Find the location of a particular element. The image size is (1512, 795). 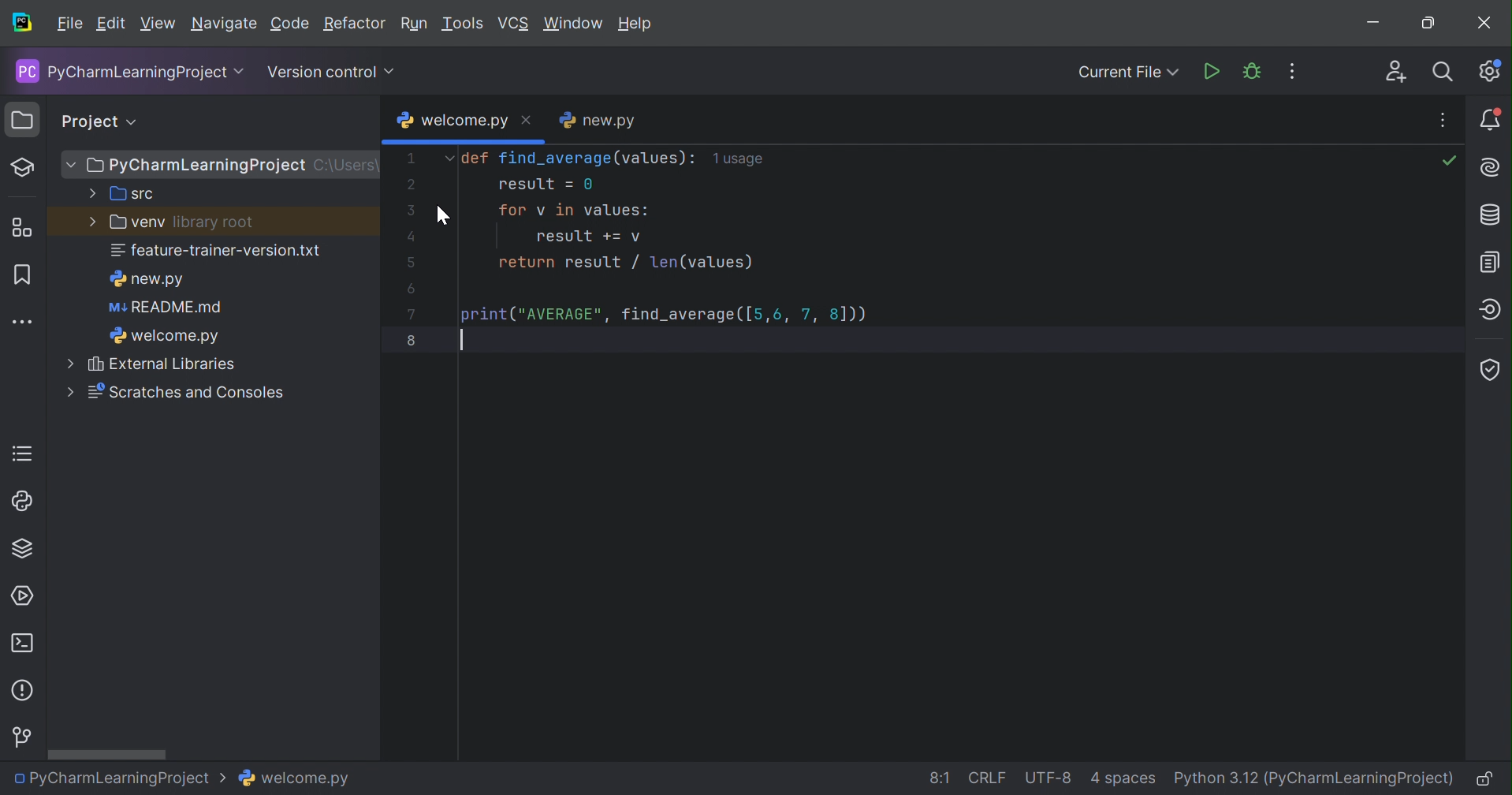

Close is located at coordinates (527, 121).